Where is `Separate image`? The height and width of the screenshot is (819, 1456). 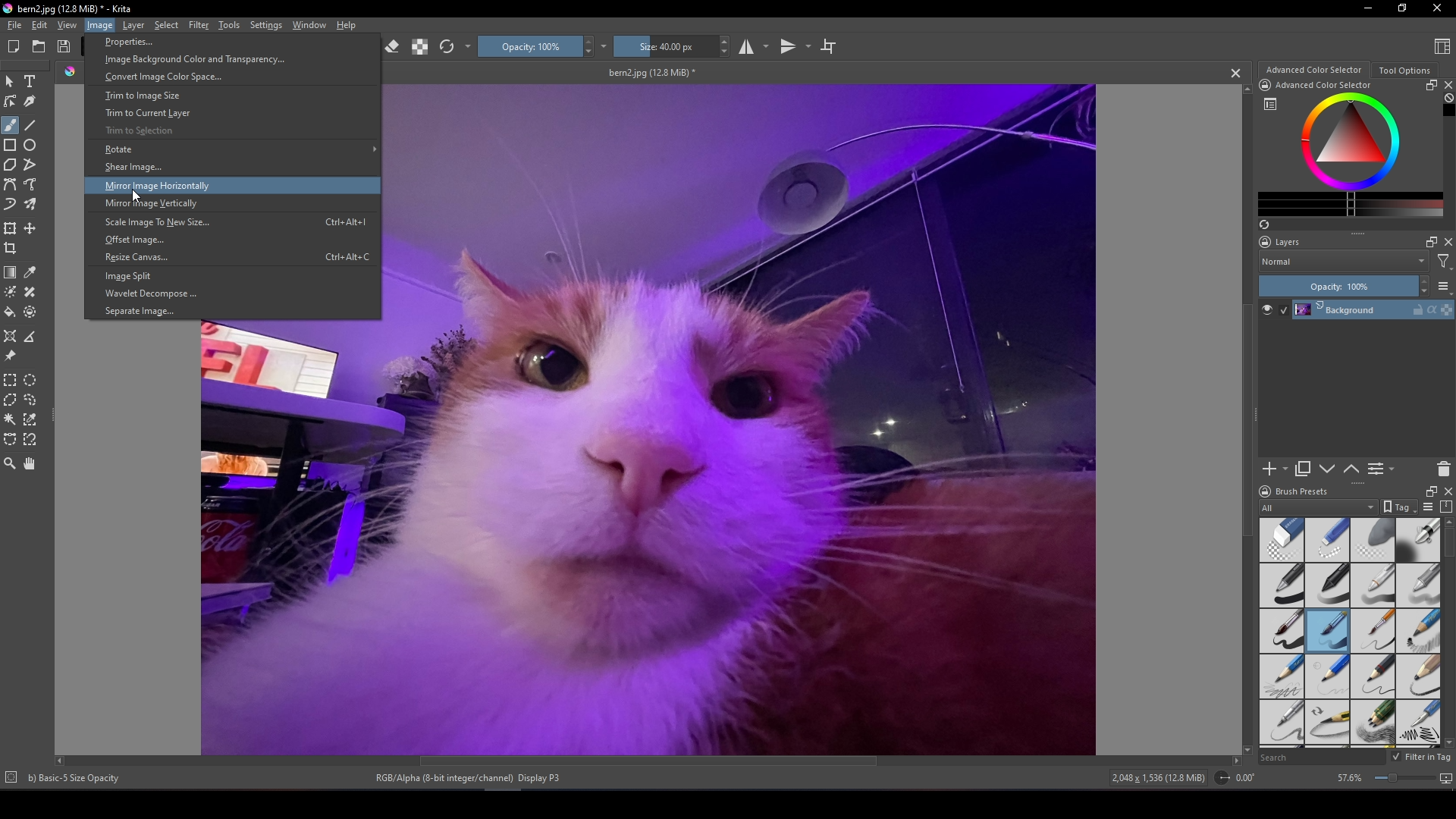
Separate image is located at coordinates (234, 311).